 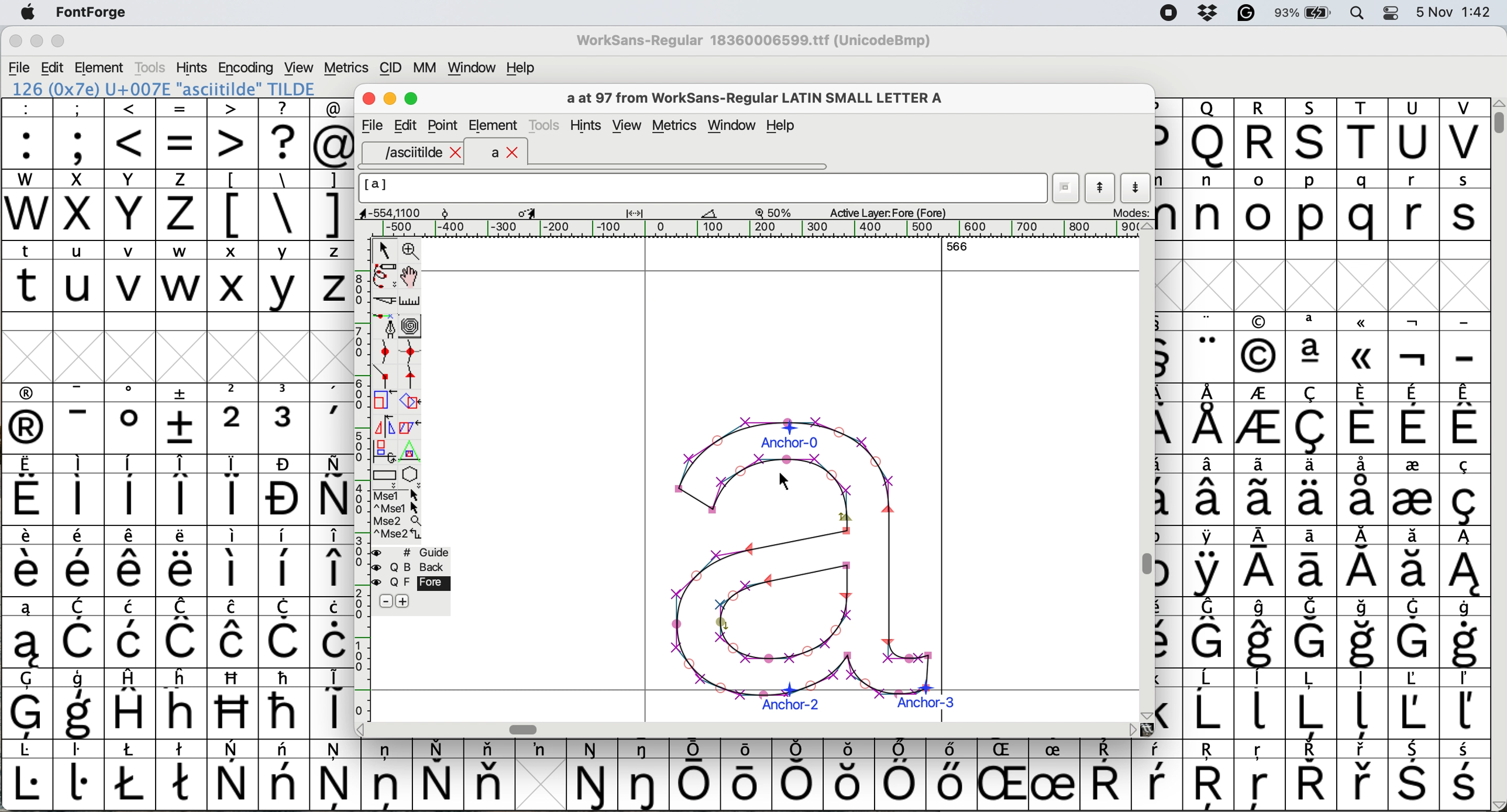 What do you see at coordinates (130, 133) in the screenshot?
I see `<` at bounding box center [130, 133].